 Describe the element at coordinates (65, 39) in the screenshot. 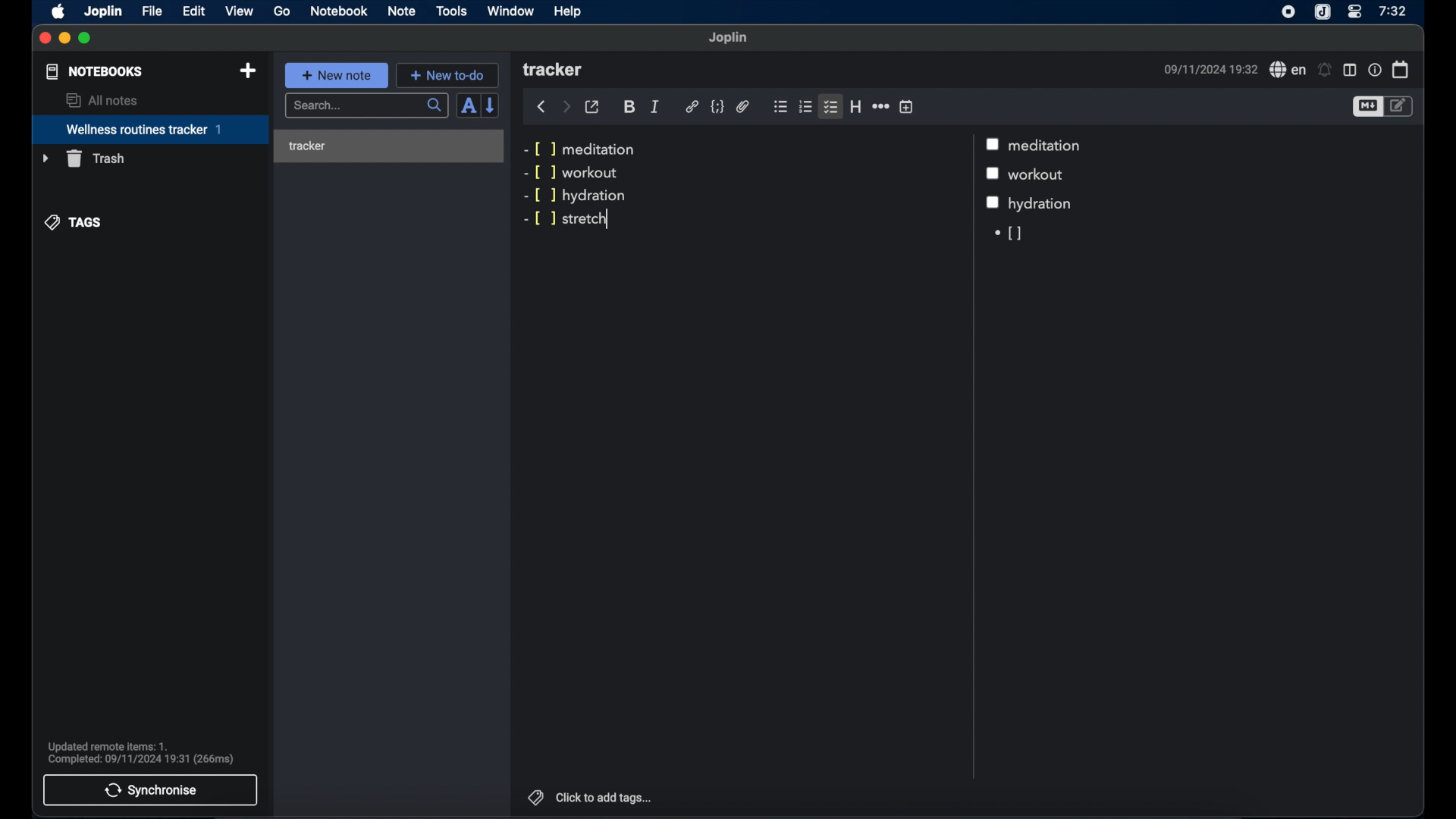

I see `minimize` at that location.